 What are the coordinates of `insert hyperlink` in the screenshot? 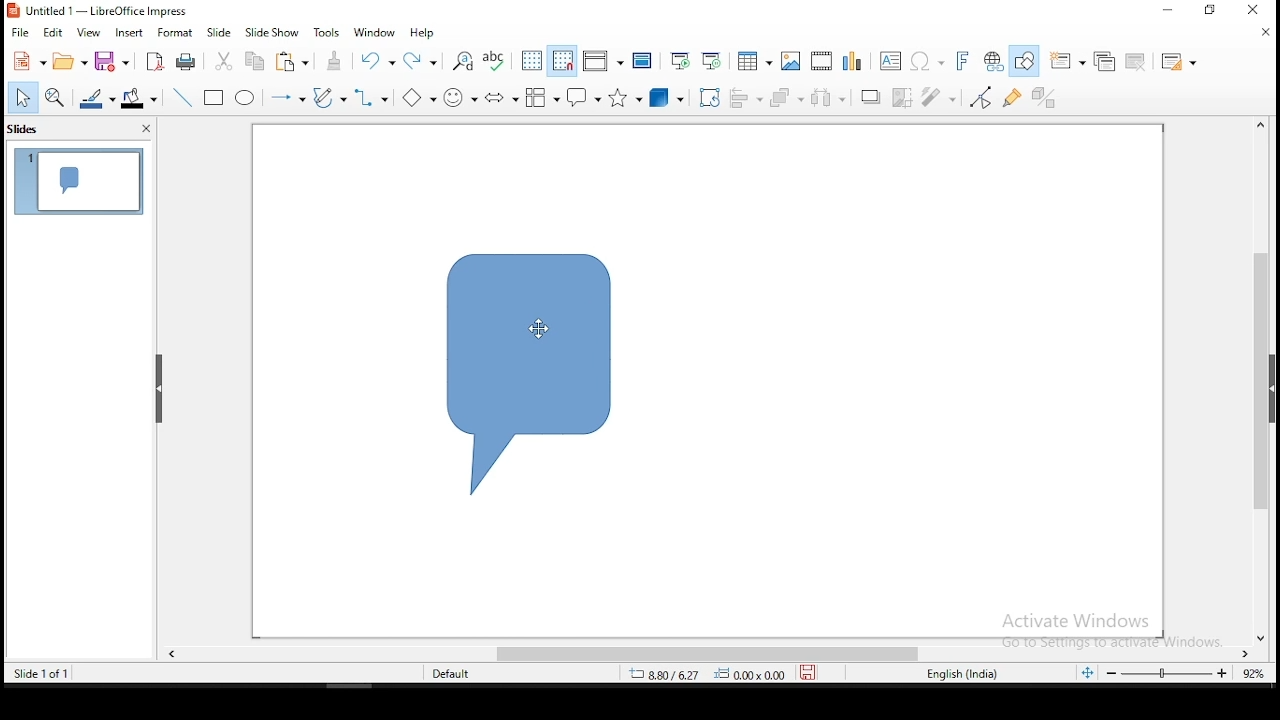 It's located at (993, 63).